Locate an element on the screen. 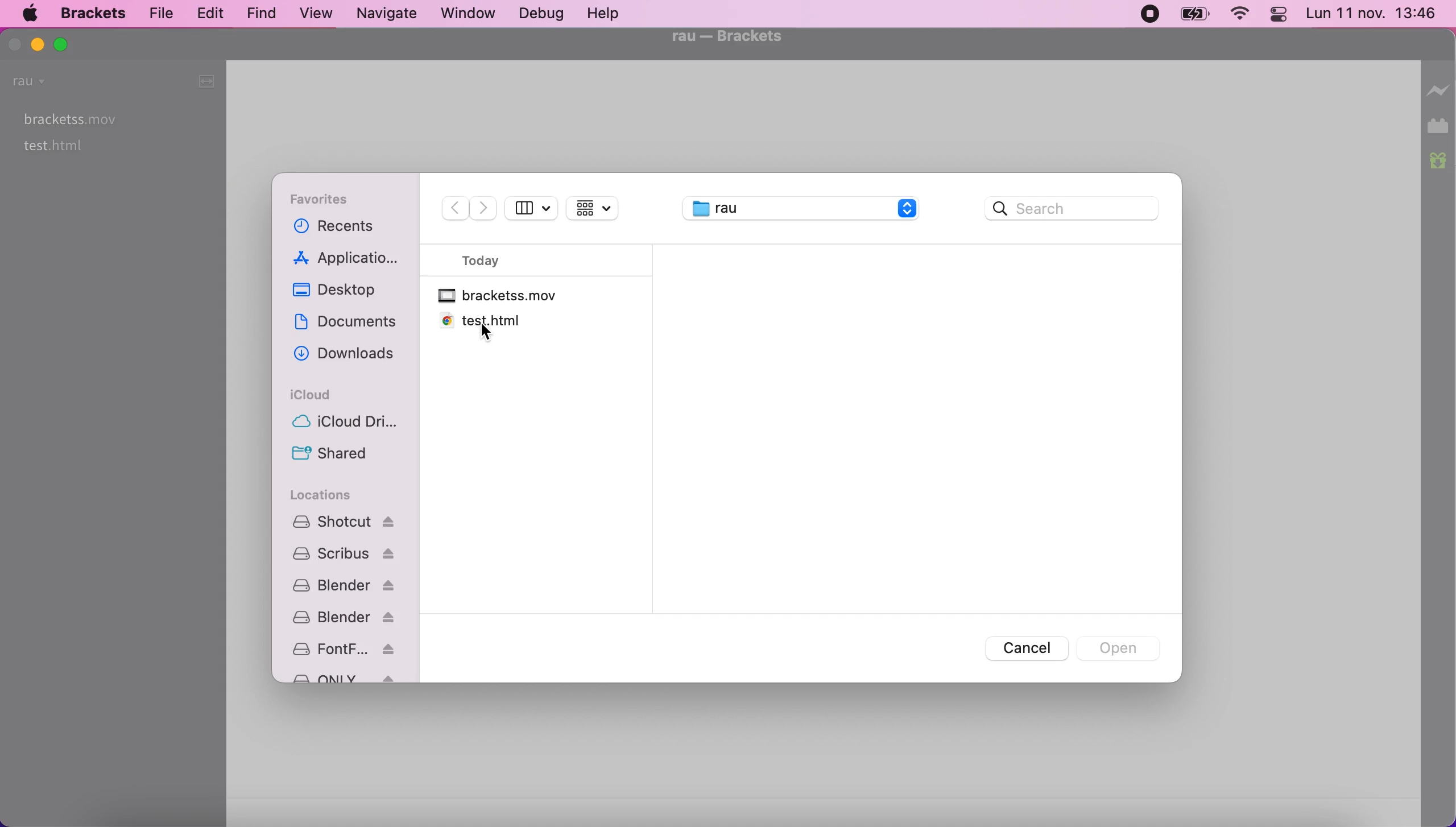  expand is located at coordinates (204, 81).